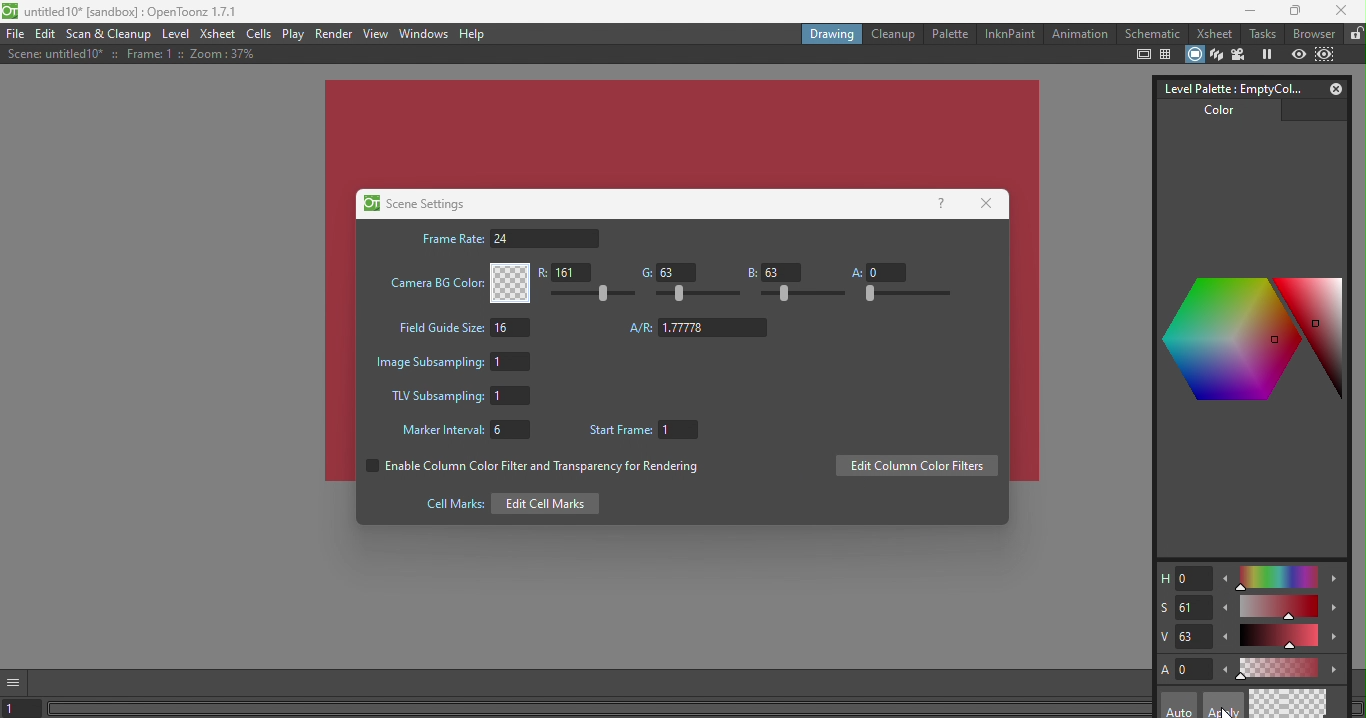  I want to click on Field guide size, so click(461, 330).